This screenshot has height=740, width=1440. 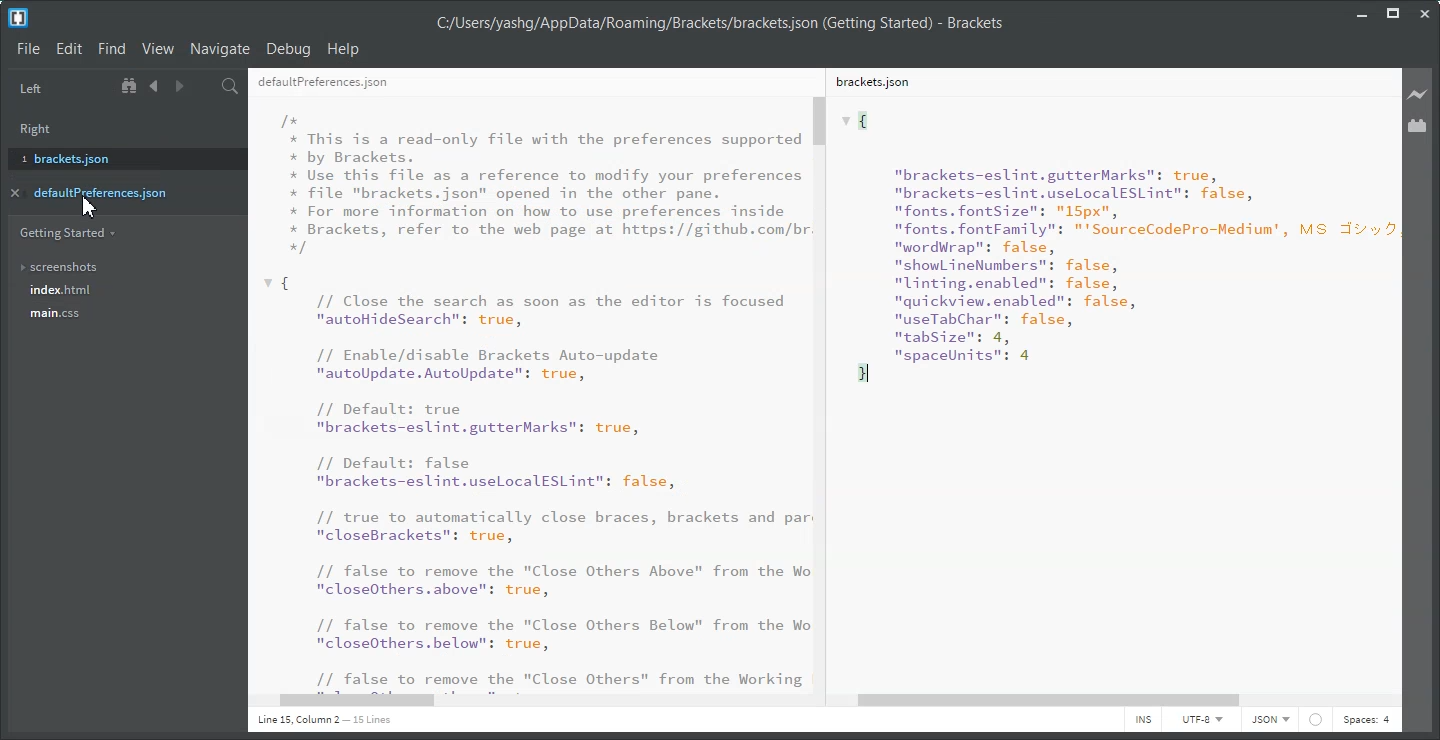 I want to click on Edit, so click(x=70, y=49).